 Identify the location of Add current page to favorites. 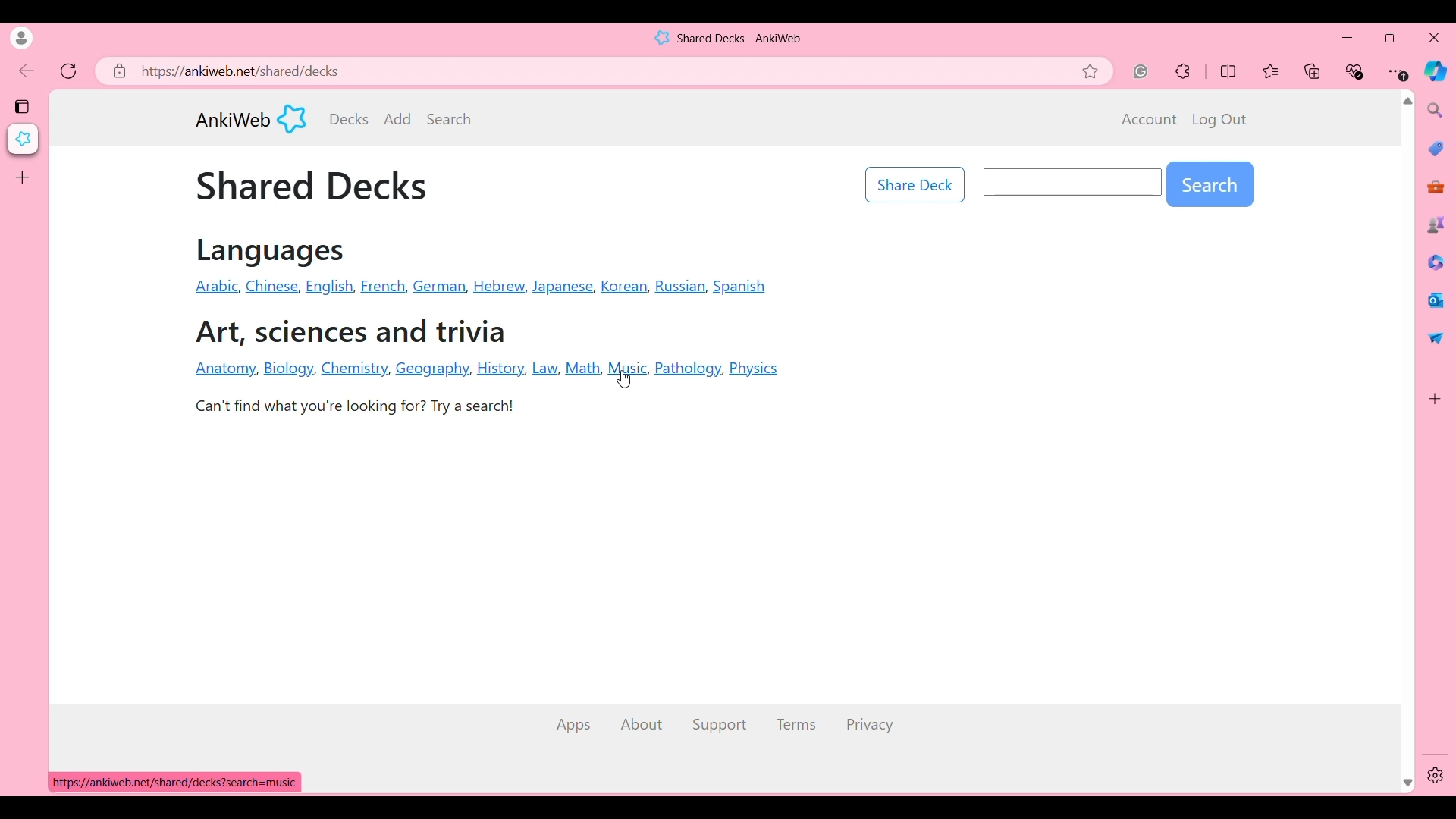
(1096, 71).